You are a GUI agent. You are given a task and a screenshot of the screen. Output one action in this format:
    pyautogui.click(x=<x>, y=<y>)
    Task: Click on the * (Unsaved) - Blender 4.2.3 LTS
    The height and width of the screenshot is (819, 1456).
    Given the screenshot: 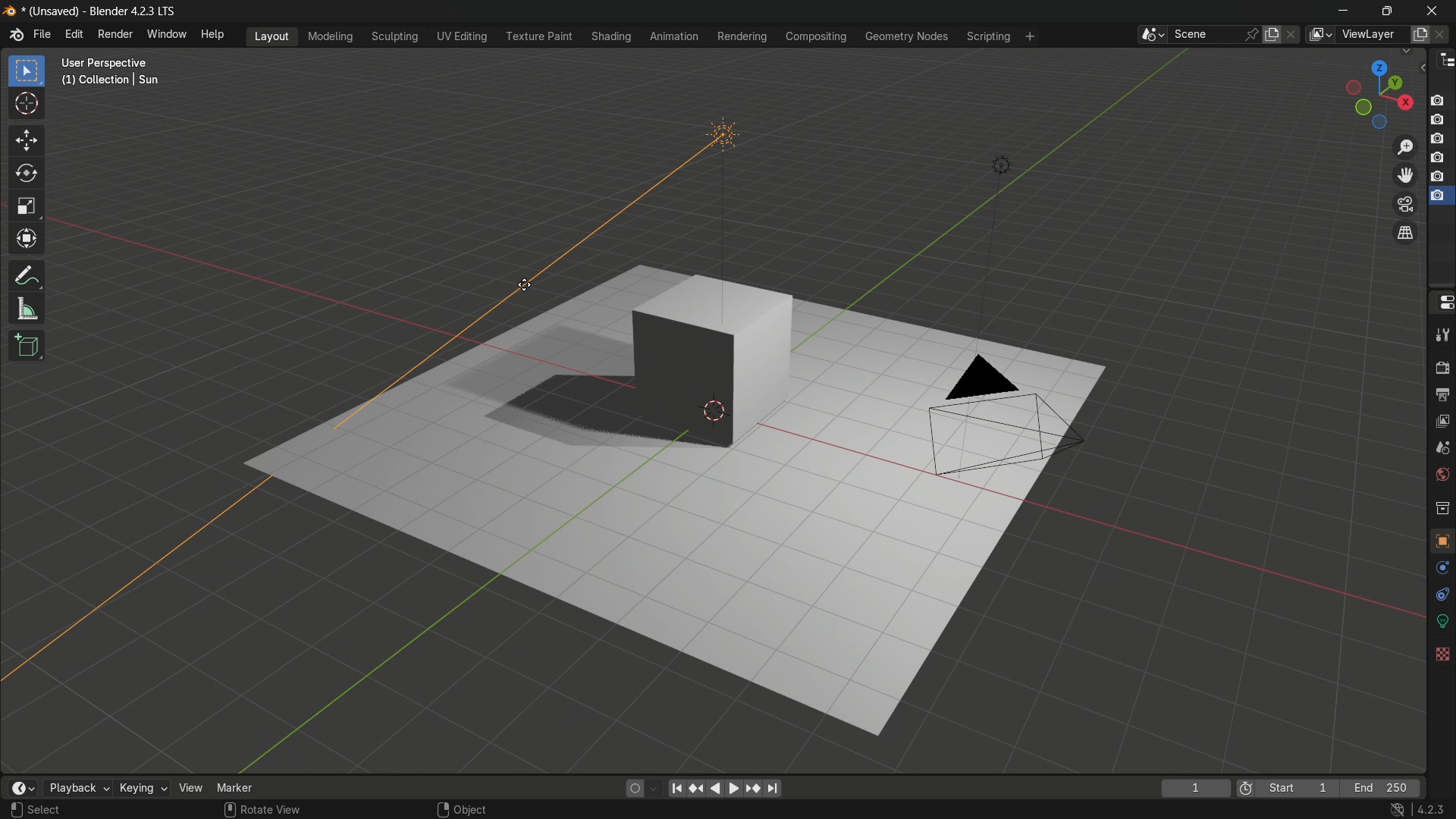 What is the action you would take?
    pyautogui.click(x=102, y=12)
    